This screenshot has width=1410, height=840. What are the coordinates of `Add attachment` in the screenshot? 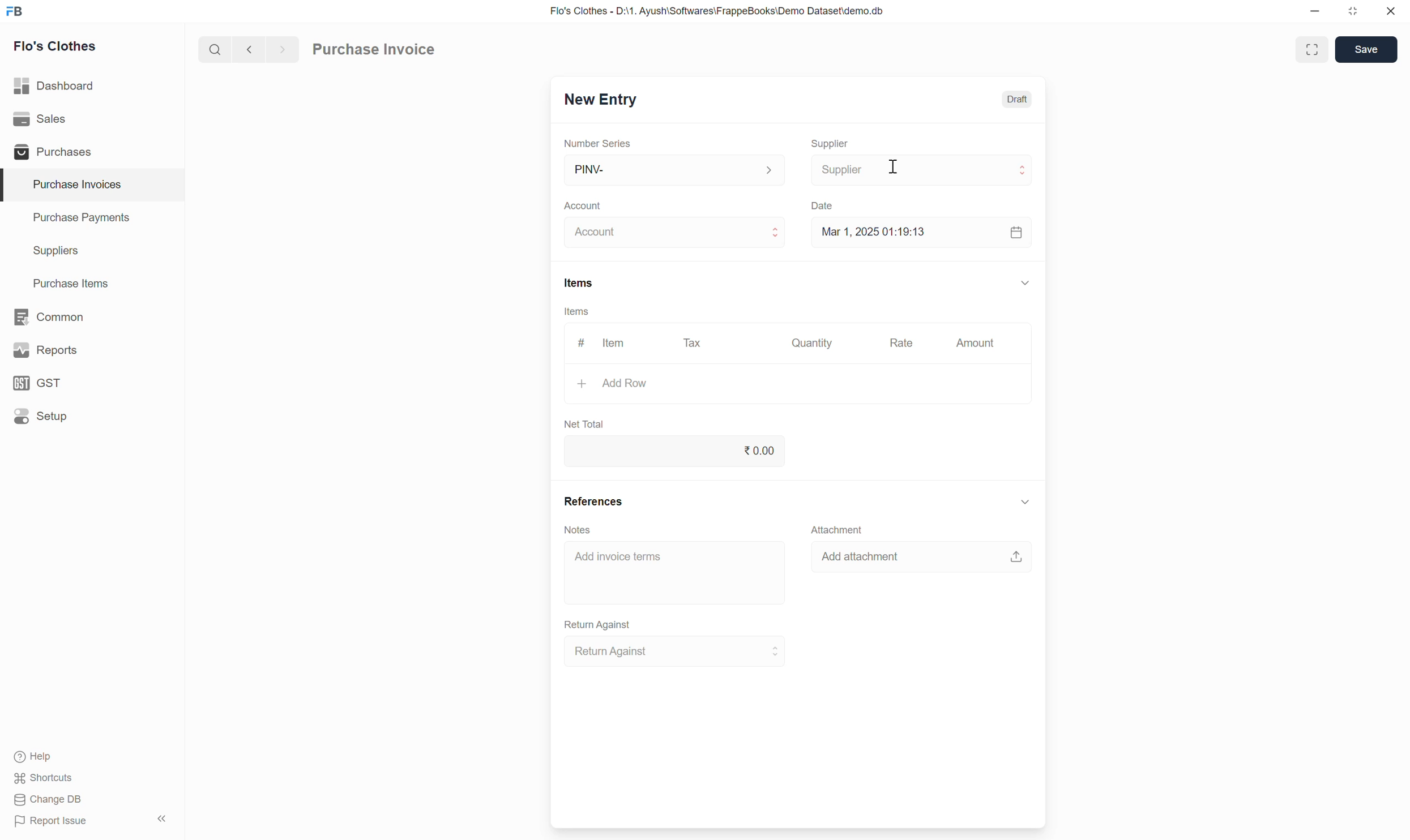 It's located at (921, 559).